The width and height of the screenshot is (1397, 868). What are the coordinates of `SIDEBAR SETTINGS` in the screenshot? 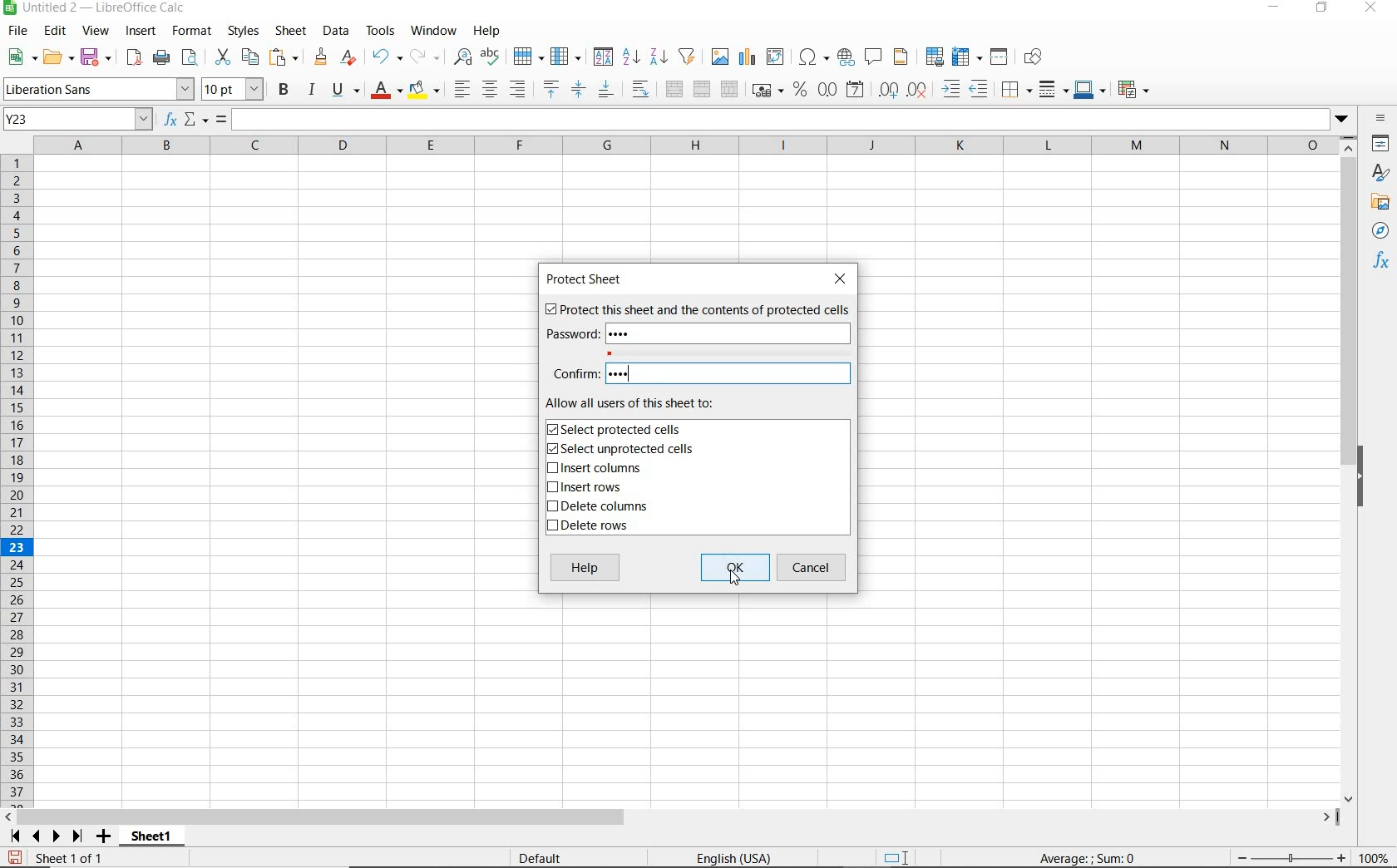 It's located at (1380, 118).